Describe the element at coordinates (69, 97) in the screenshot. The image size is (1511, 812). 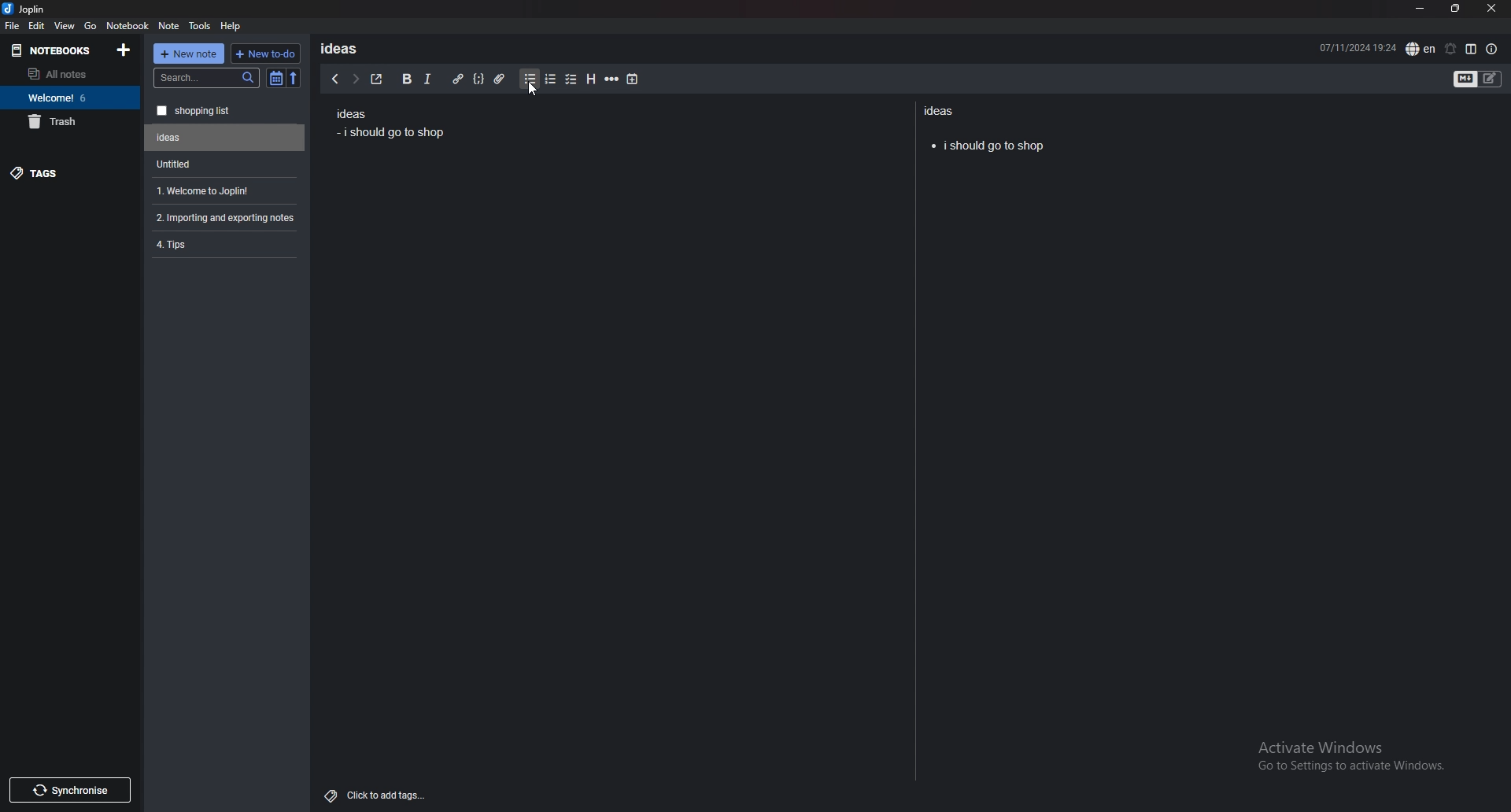
I see `Welcome` at that location.